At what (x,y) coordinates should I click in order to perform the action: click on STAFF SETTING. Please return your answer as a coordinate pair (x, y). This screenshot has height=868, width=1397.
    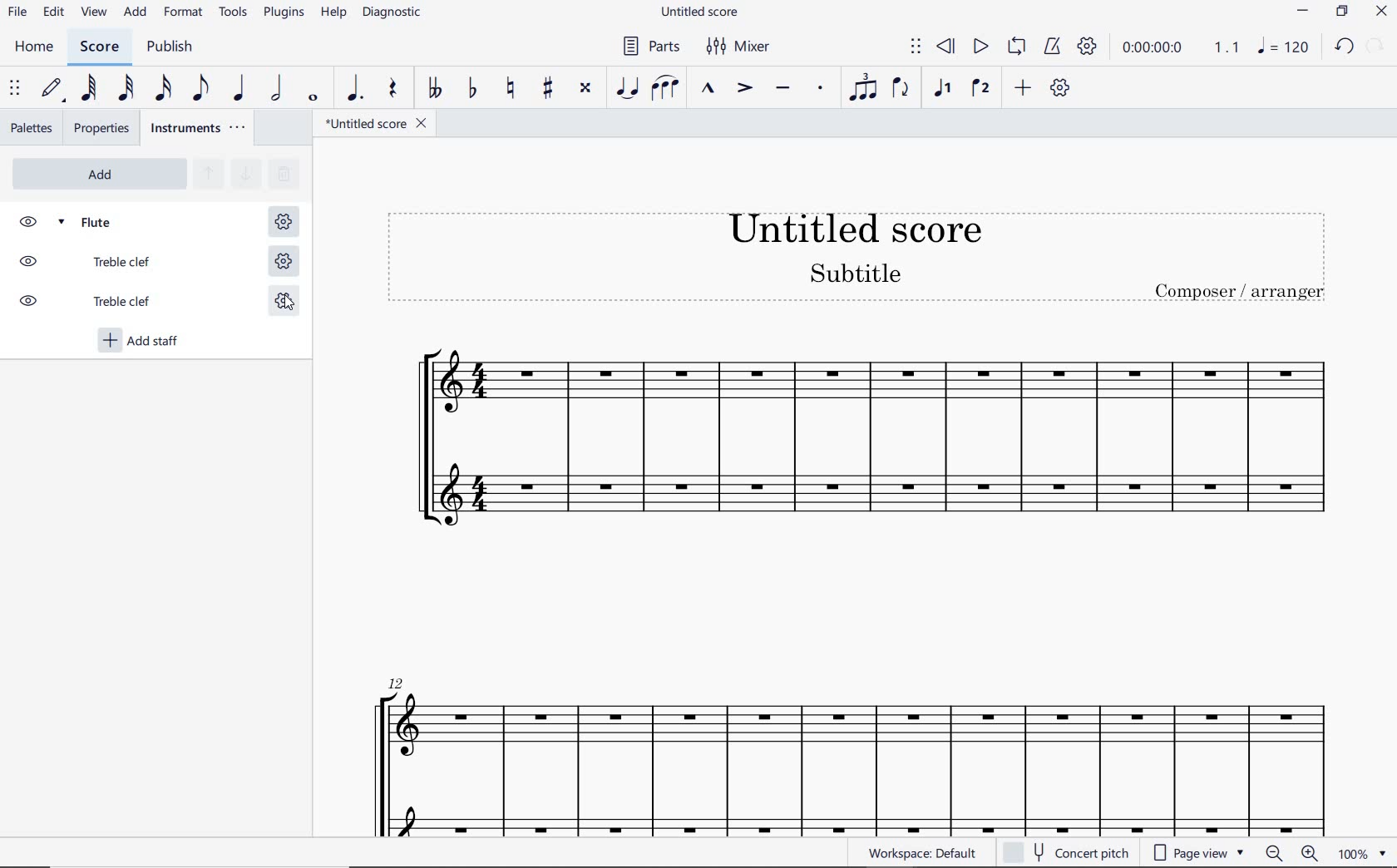
    Looking at the image, I should click on (282, 222).